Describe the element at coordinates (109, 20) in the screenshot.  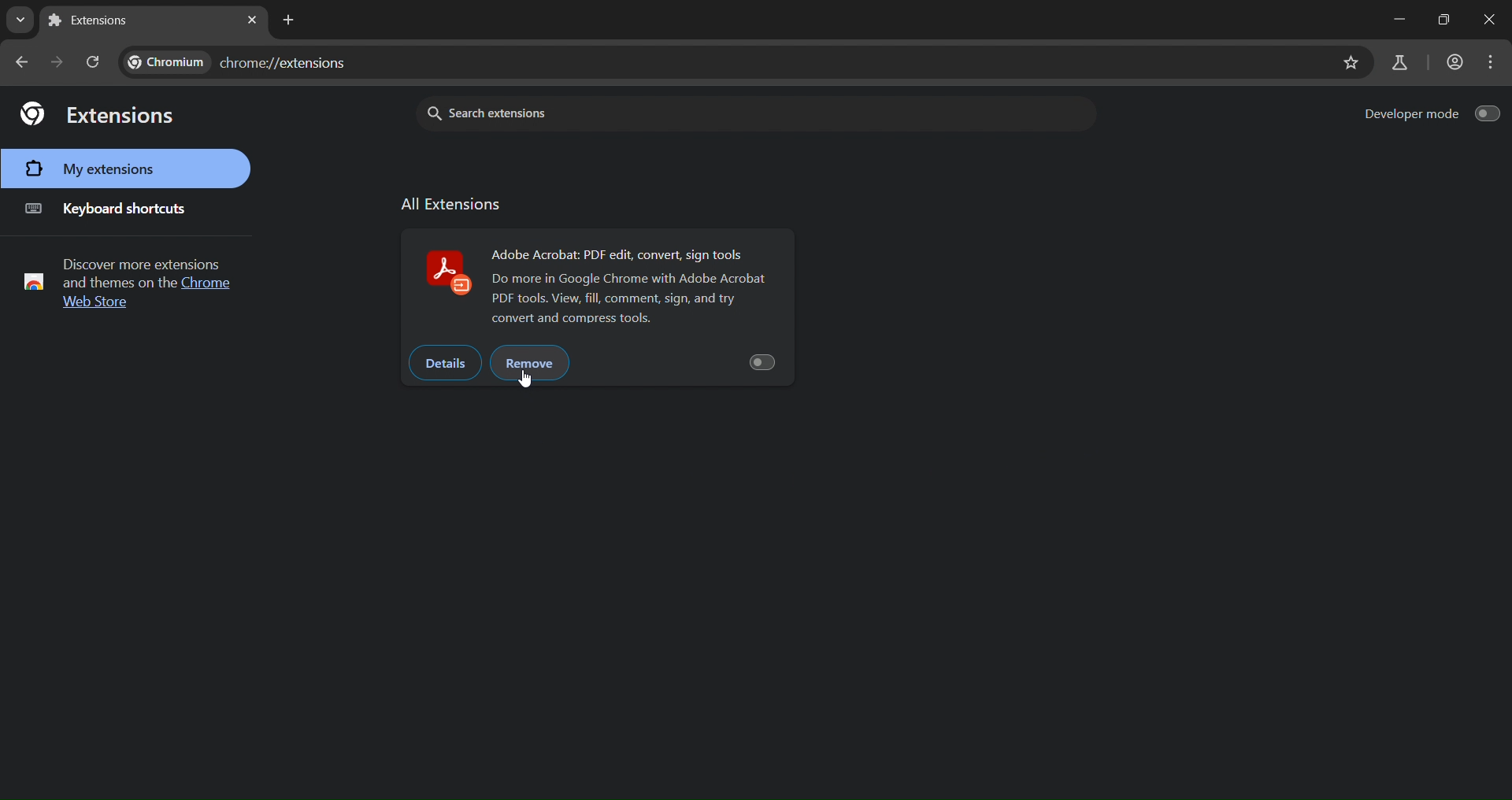
I see `current tab` at that location.